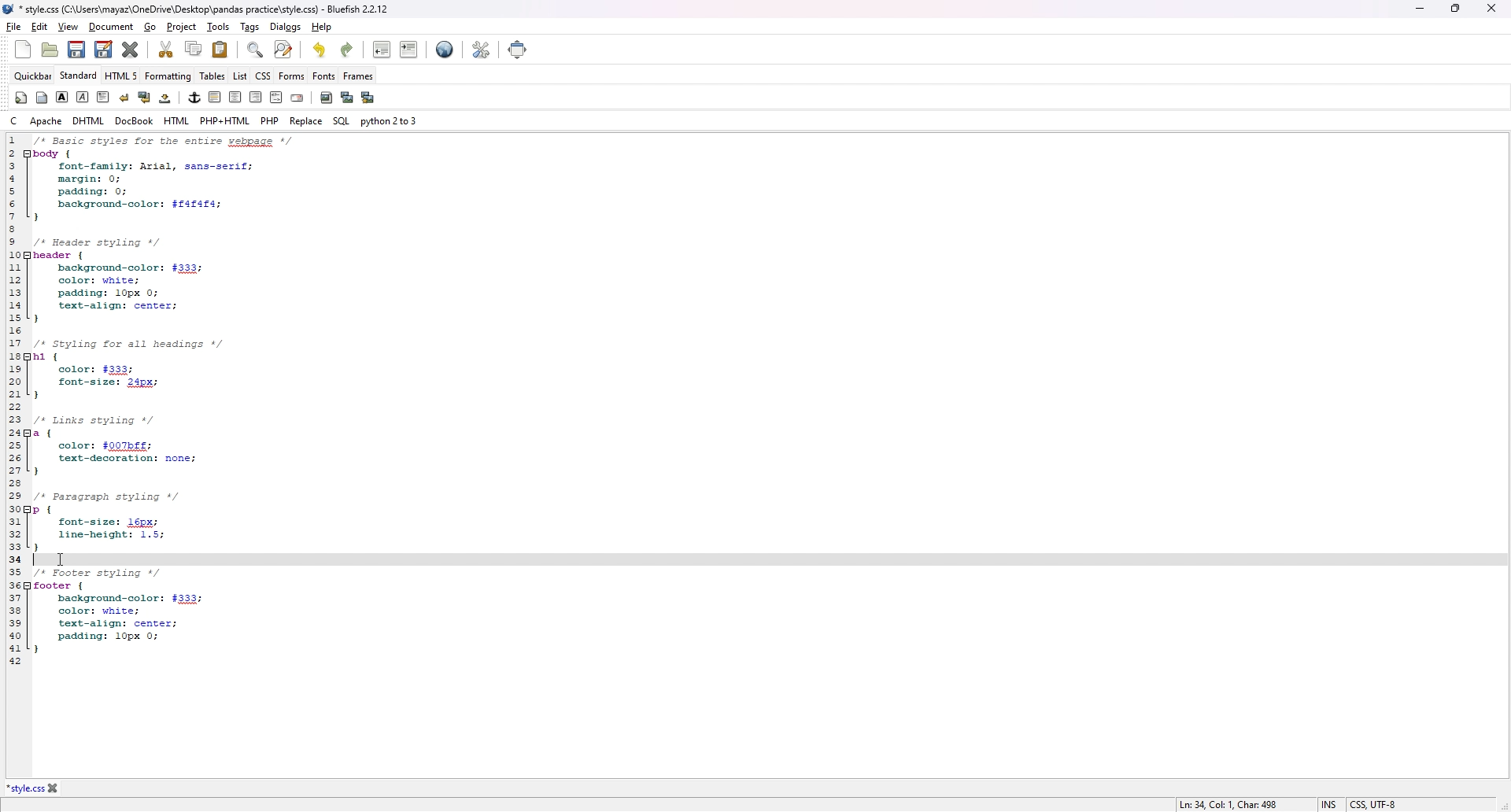 This screenshot has height=812, width=1511. Describe the element at coordinates (327, 98) in the screenshot. I see `insert image` at that location.